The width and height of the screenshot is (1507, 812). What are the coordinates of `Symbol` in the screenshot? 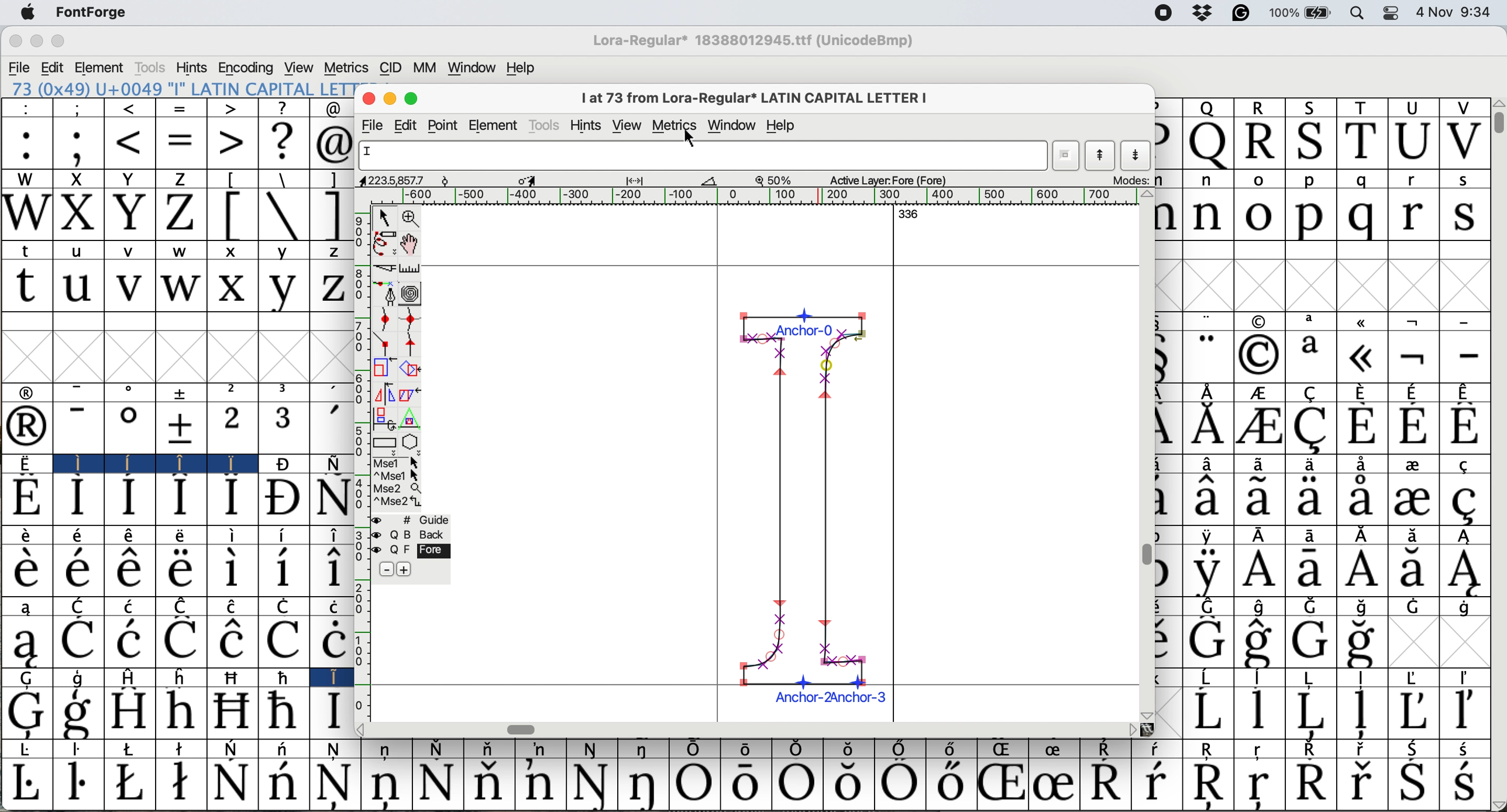 It's located at (78, 642).